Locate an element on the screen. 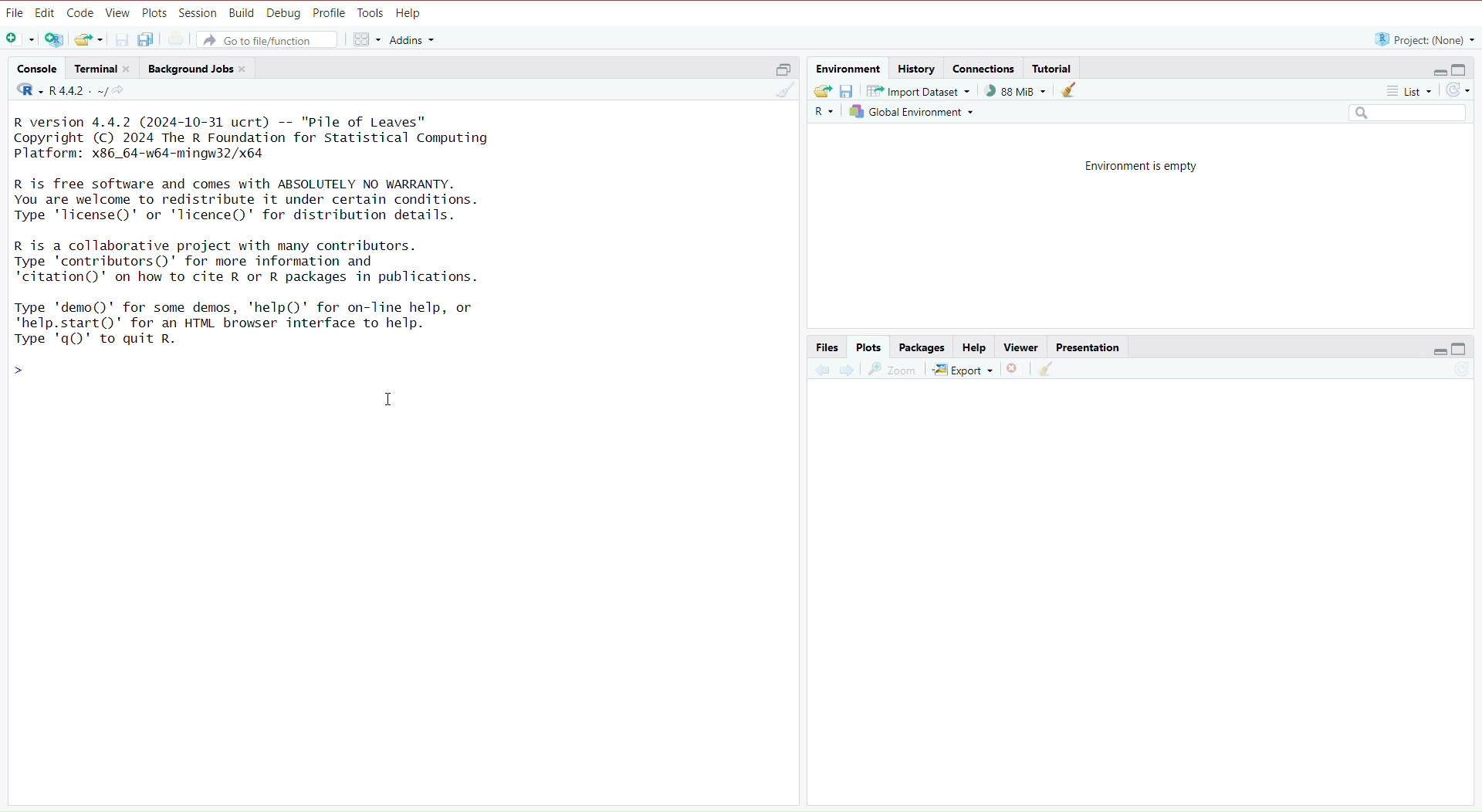 Image resolution: width=1482 pixels, height=812 pixels. presentation is located at coordinates (1091, 347).